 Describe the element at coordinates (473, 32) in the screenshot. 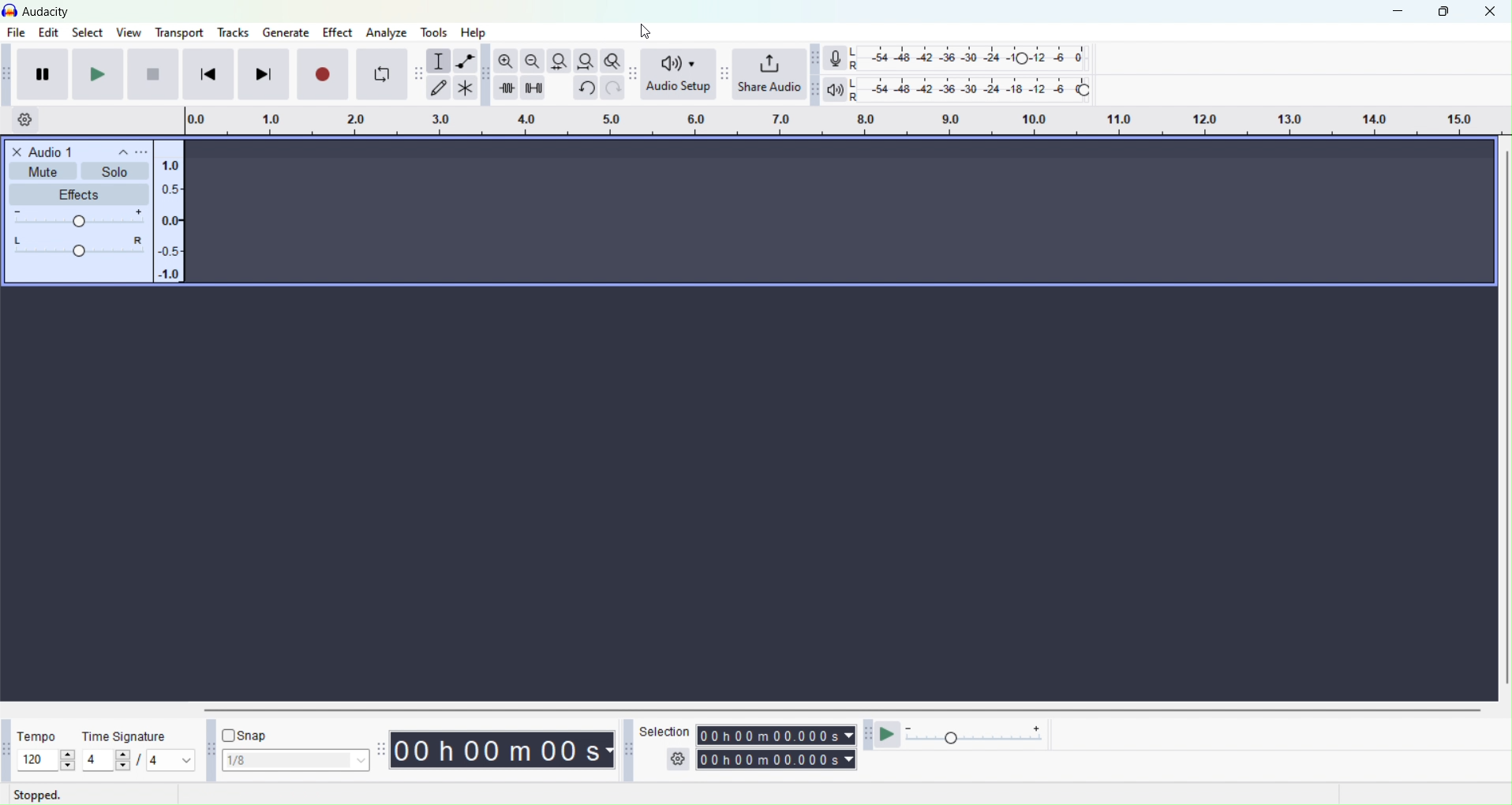

I see `Help` at that location.